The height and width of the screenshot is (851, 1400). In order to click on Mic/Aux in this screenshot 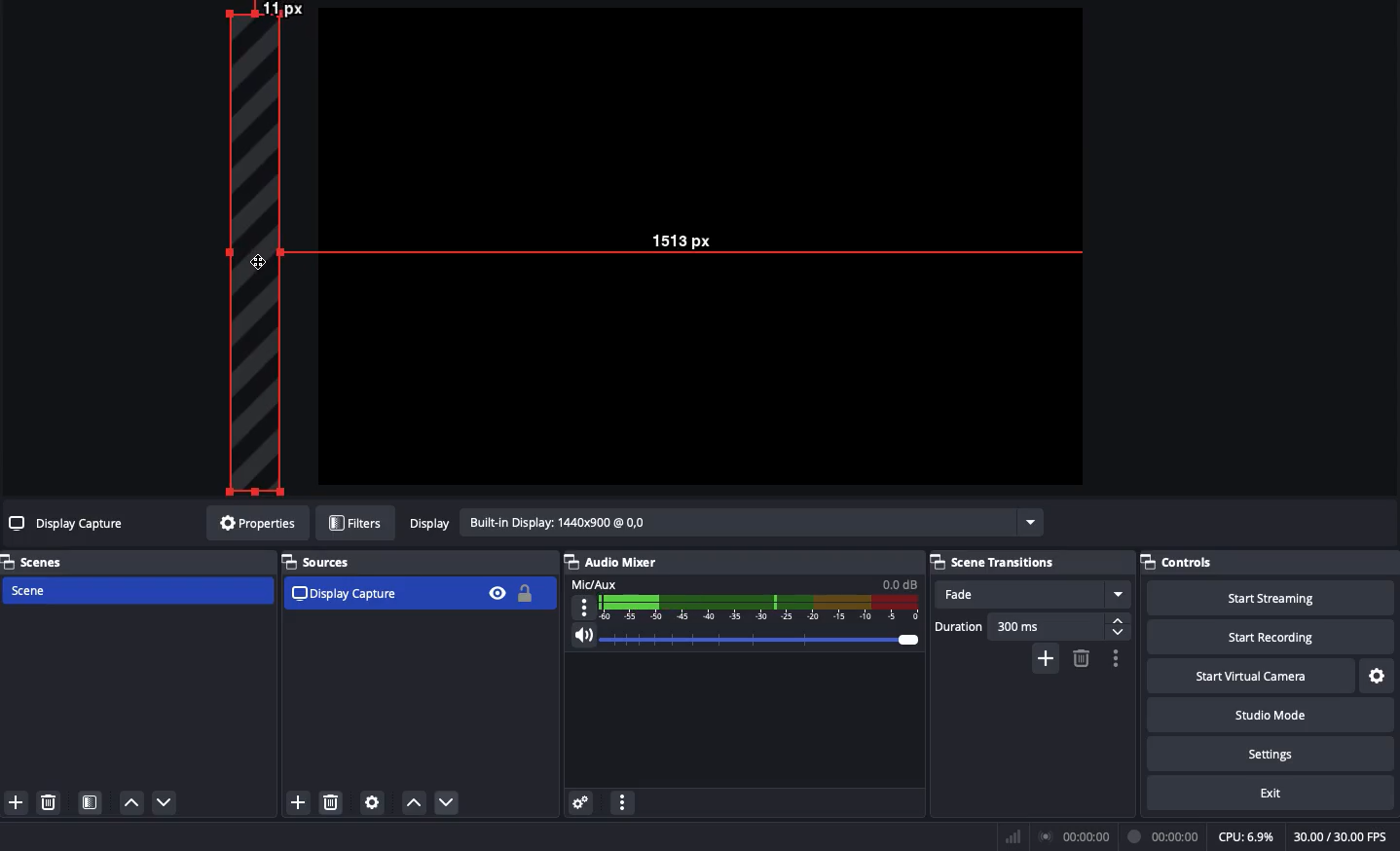, I will do `click(742, 598)`.